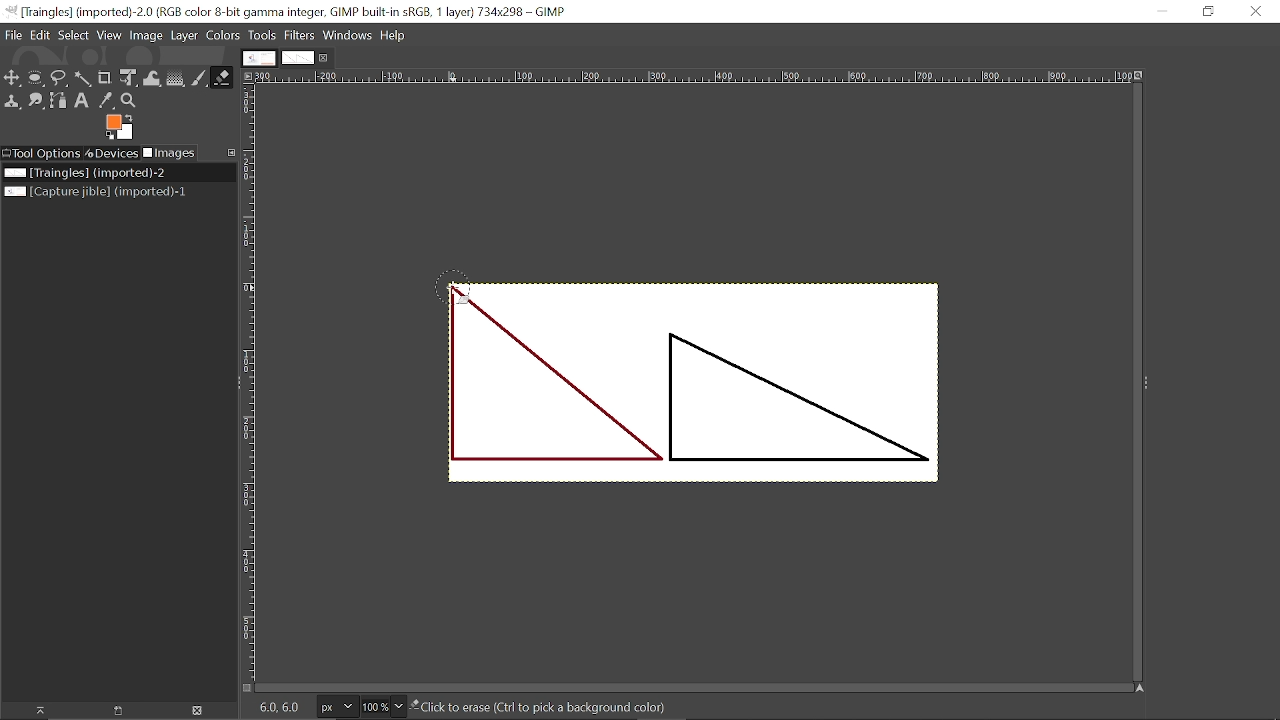 The image size is (1280, 720). What do you see at coordinates (196, 712) in the screenshot?
I see `Delete image` at bounding box center [196, 712].